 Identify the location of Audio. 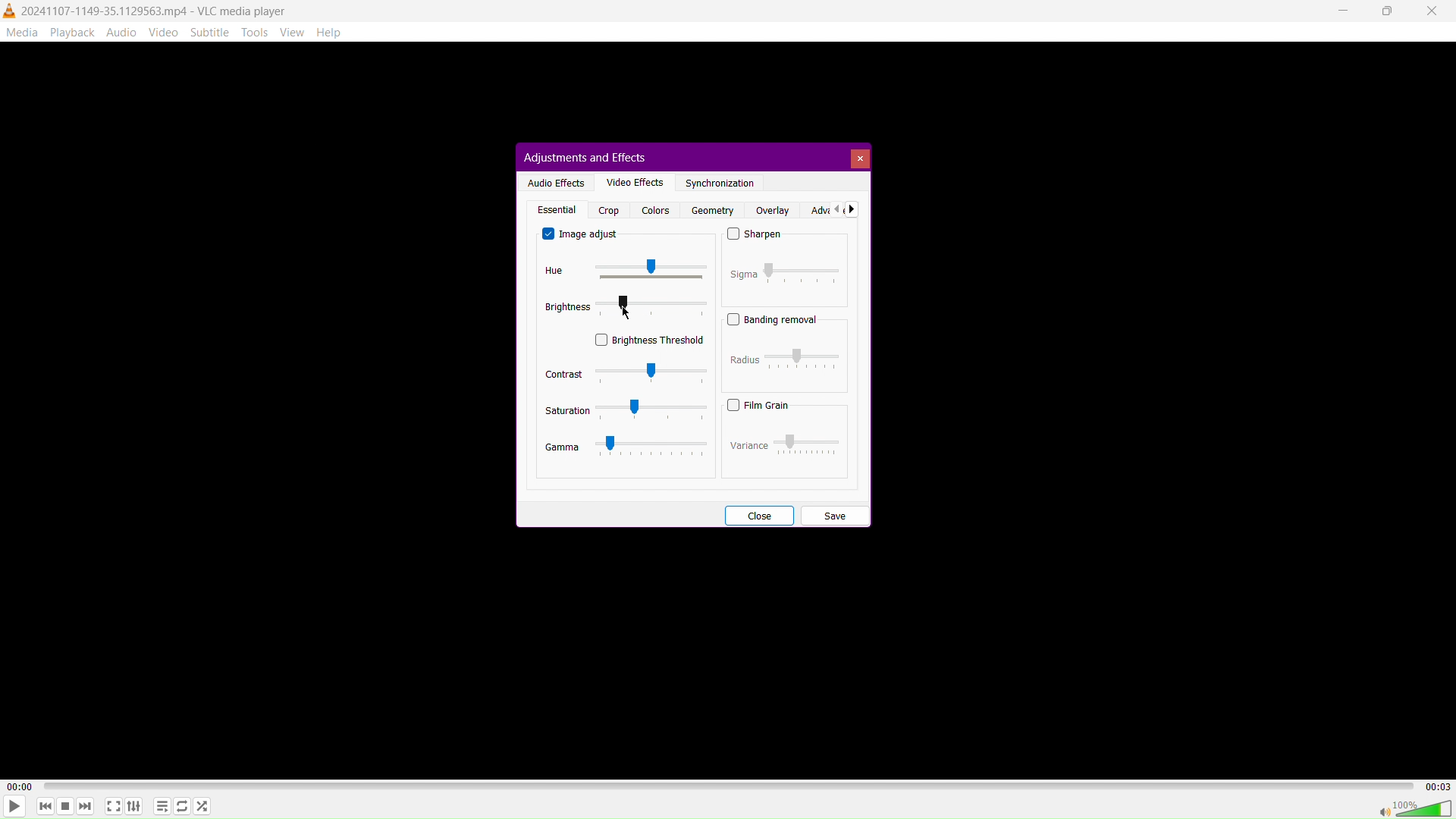
(121, 32).